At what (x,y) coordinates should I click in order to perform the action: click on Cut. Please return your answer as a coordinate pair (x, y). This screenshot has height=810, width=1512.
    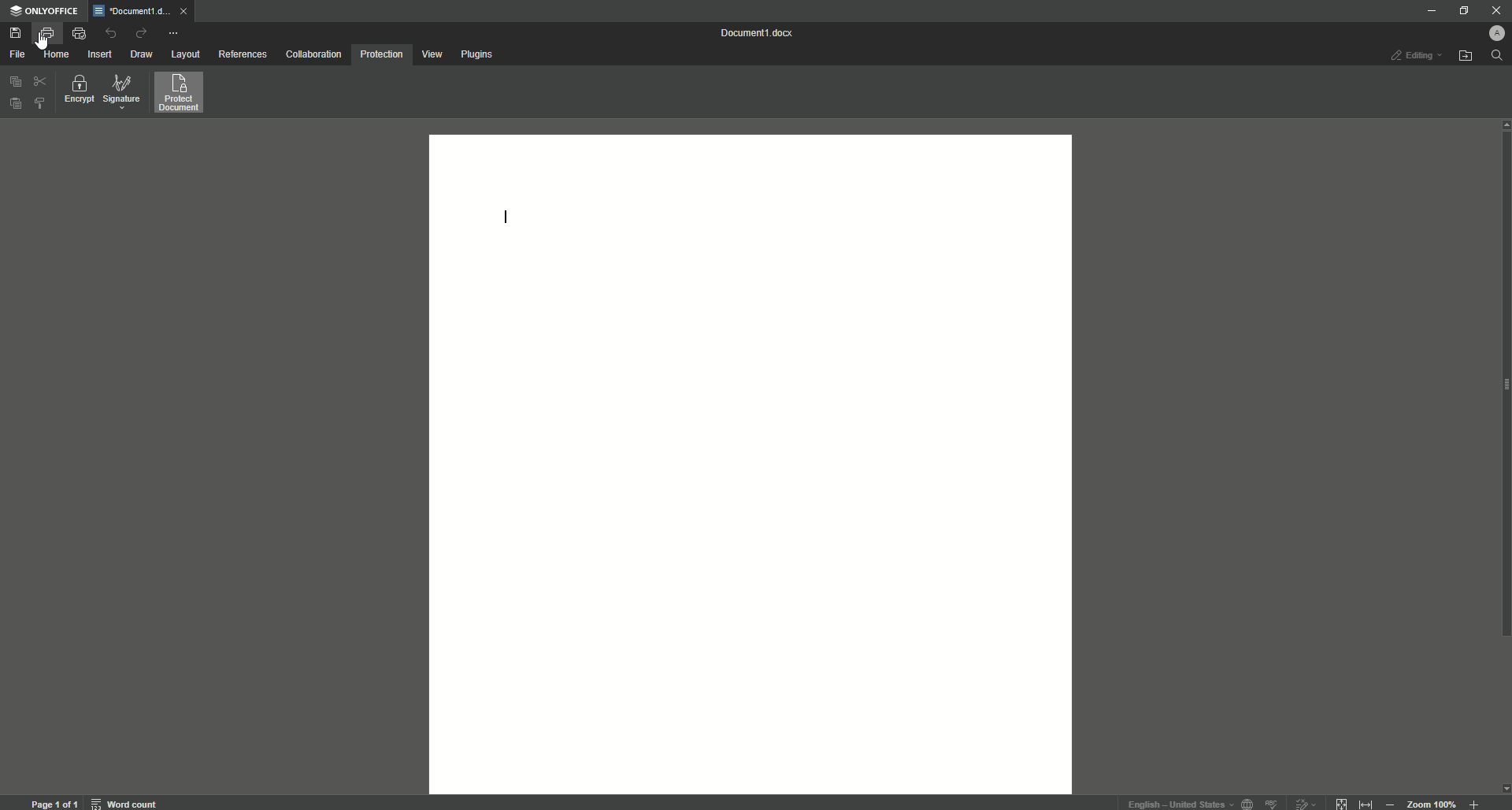
    Looking at the image, I should click on (39, 81).